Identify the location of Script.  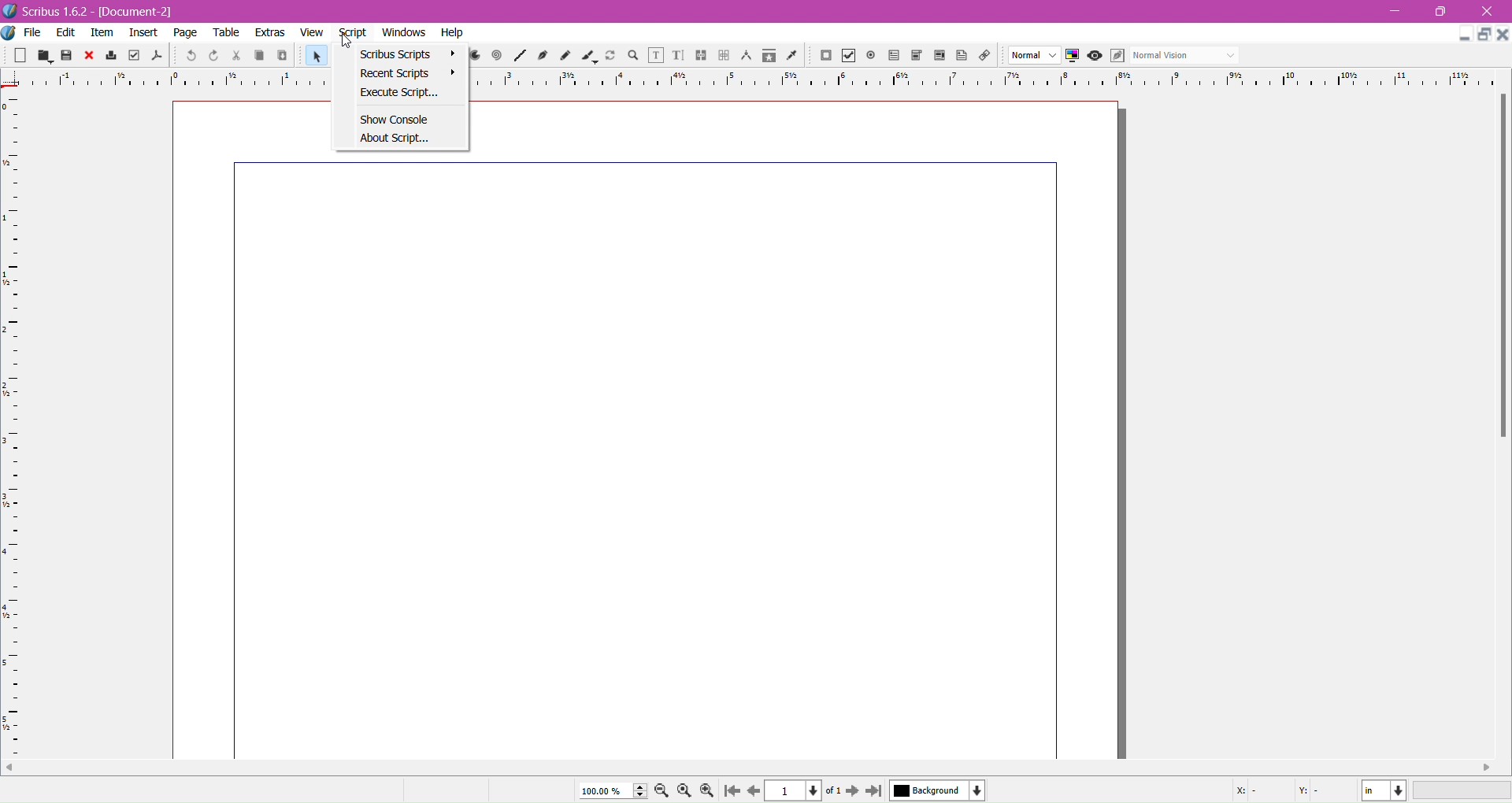
(352, 31).